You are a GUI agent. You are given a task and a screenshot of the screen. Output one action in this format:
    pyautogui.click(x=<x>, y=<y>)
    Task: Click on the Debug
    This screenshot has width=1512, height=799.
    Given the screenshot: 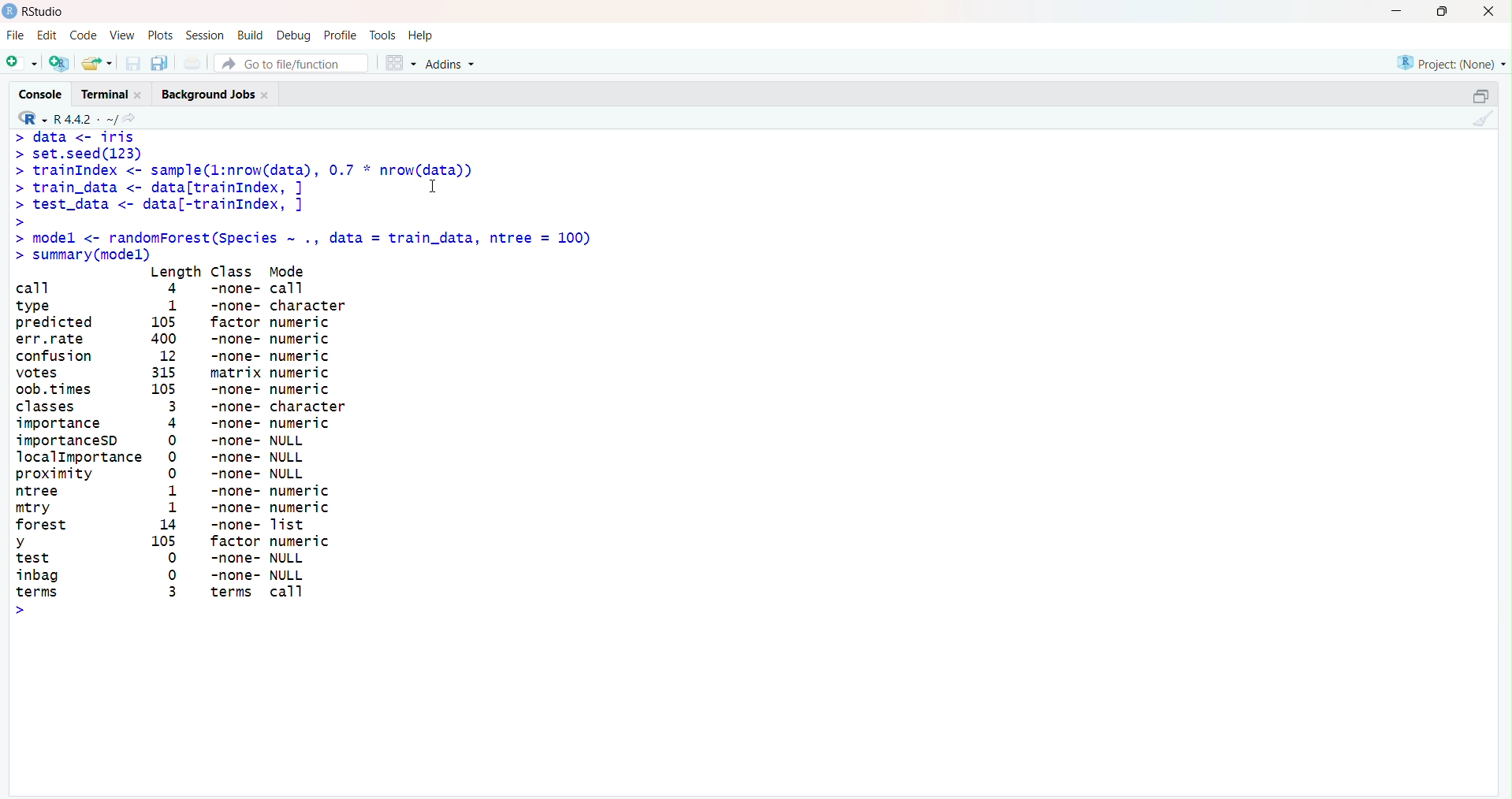 What is the action you would take?
    pyautogui.click(x=295, y=34)
    